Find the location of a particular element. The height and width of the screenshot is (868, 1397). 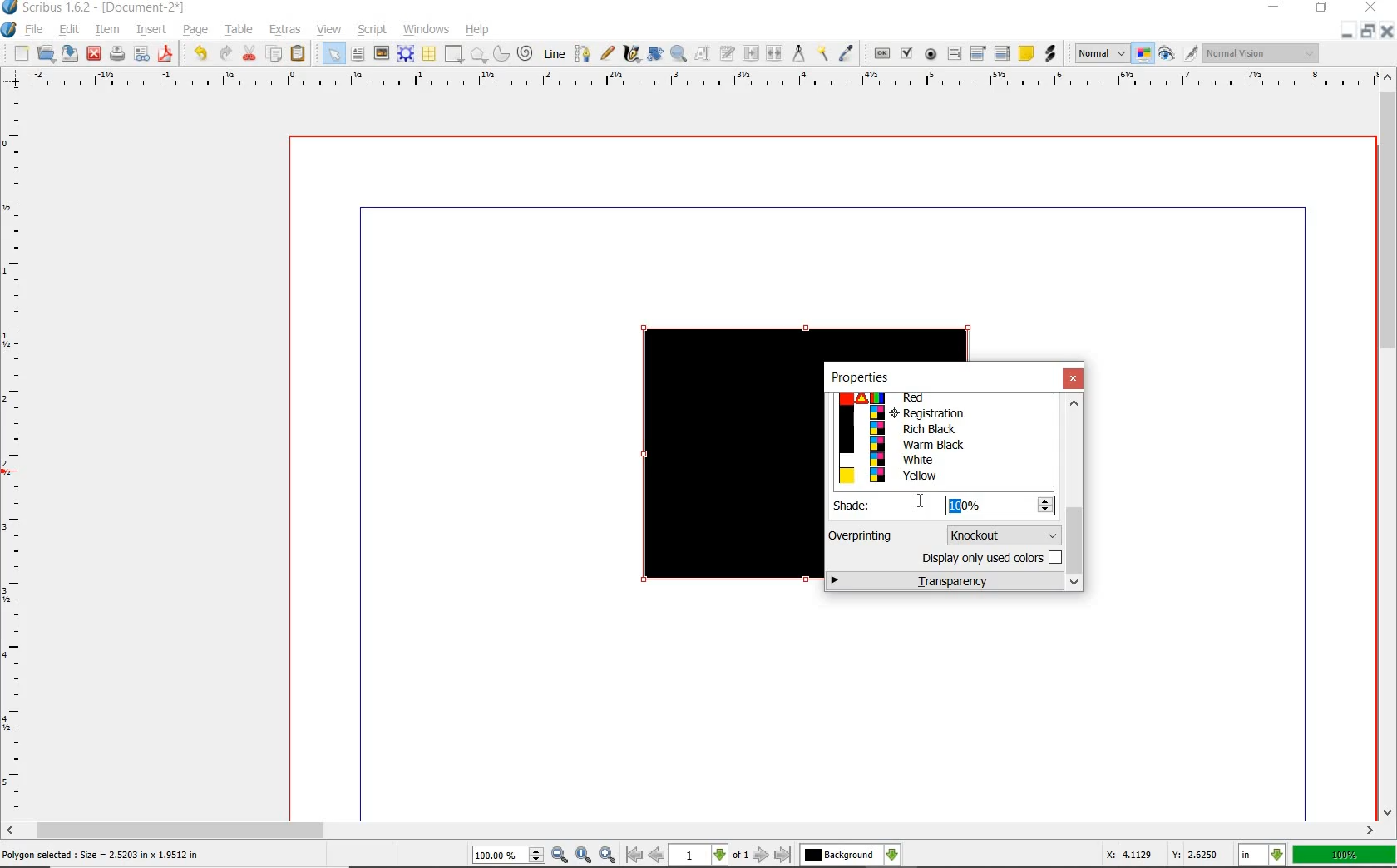

scrollbar is located at coordinates (1387, 445).